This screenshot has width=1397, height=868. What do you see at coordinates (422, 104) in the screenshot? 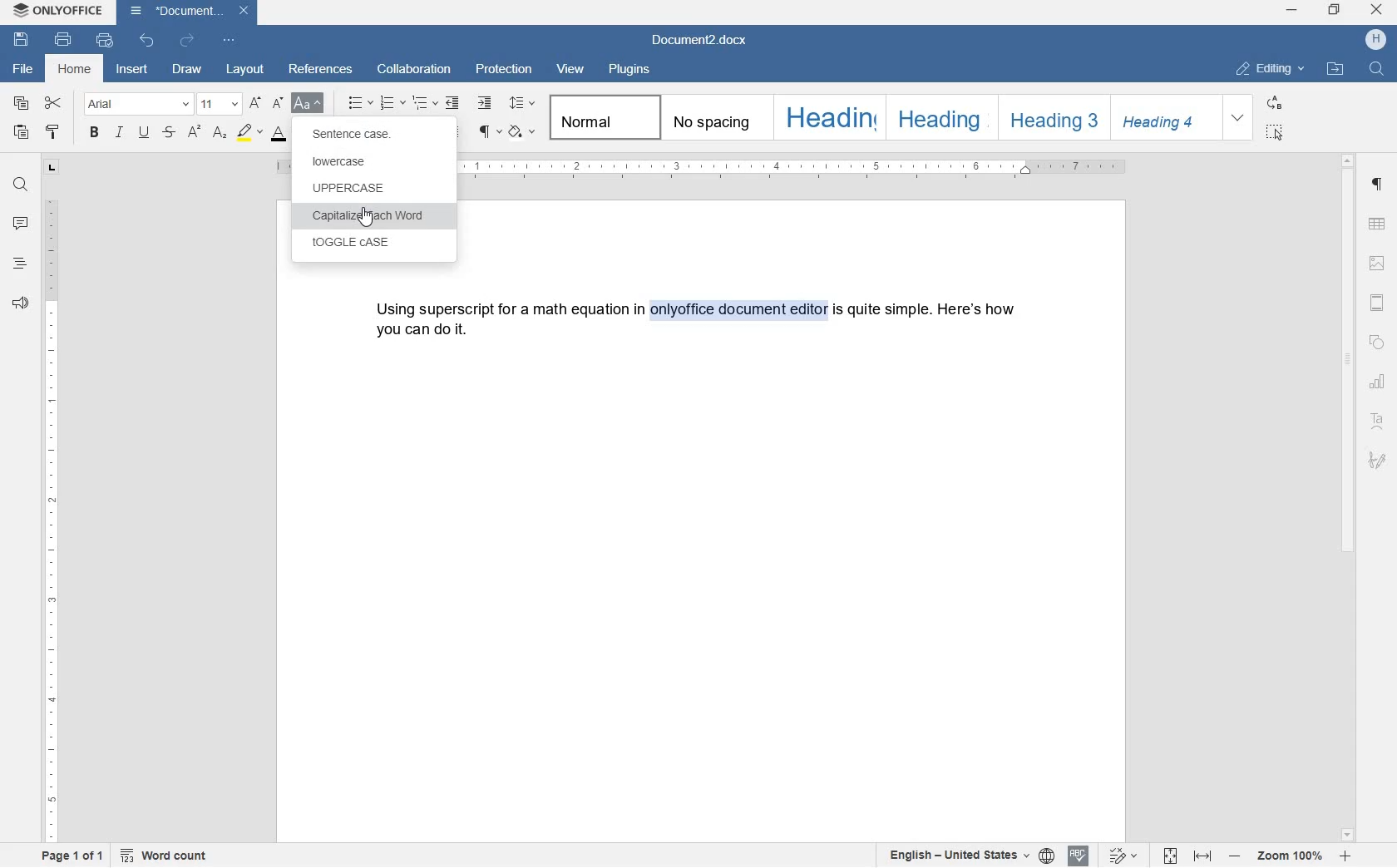
I see `multilevel list` at bounding box center [422, 104].